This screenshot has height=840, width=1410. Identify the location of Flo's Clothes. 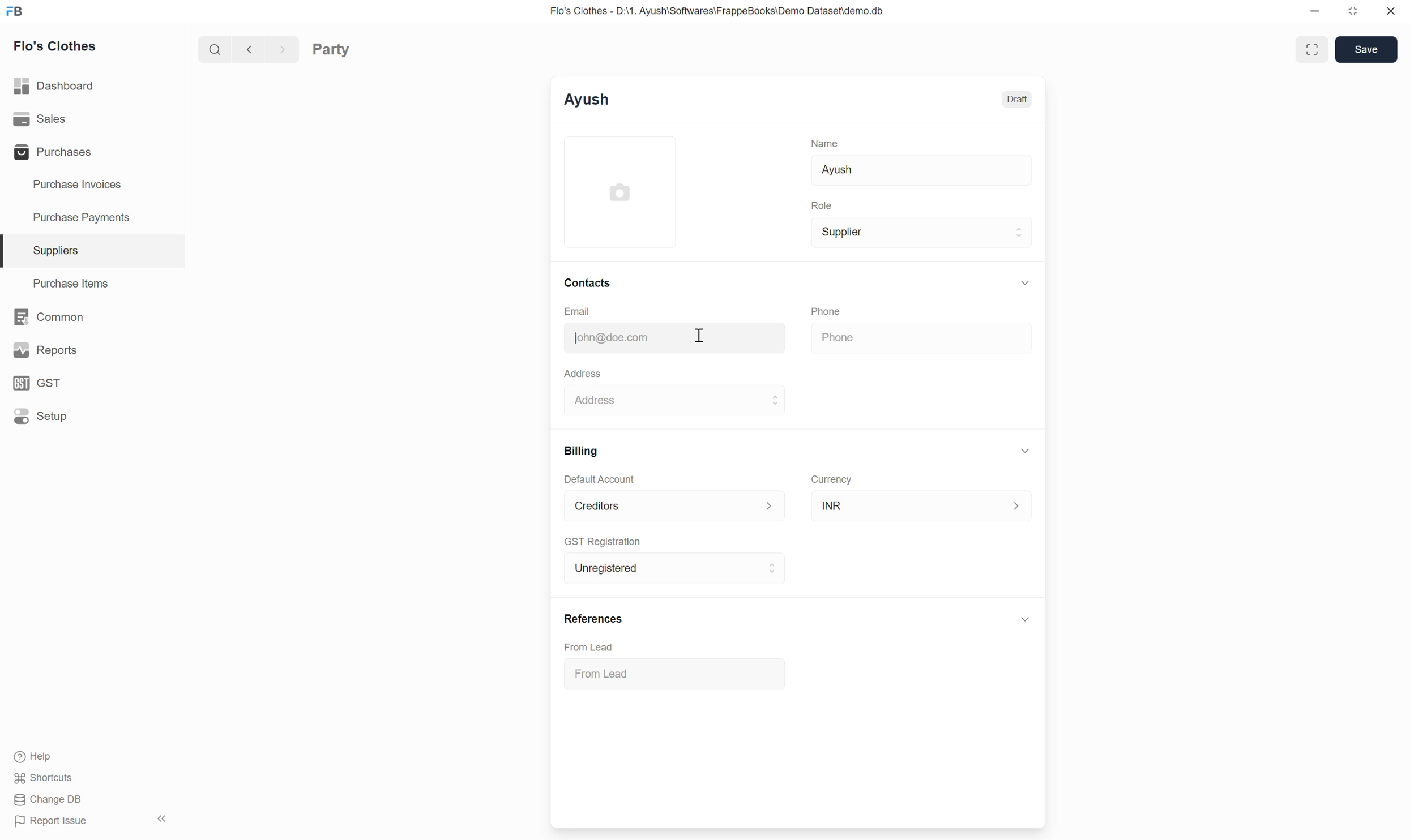
(55, 45).